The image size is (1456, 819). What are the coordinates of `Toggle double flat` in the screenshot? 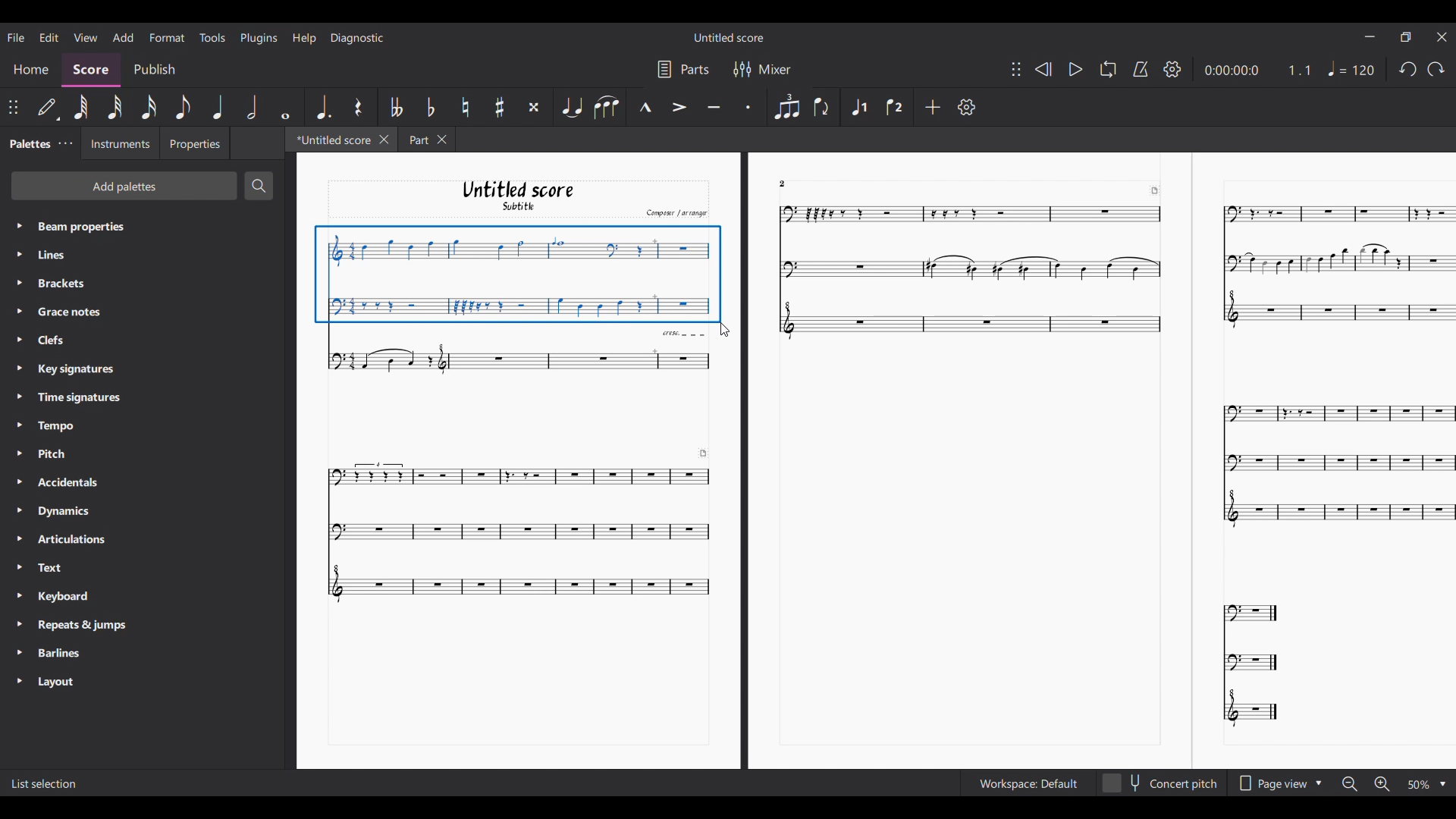 It's located at (397, 106).